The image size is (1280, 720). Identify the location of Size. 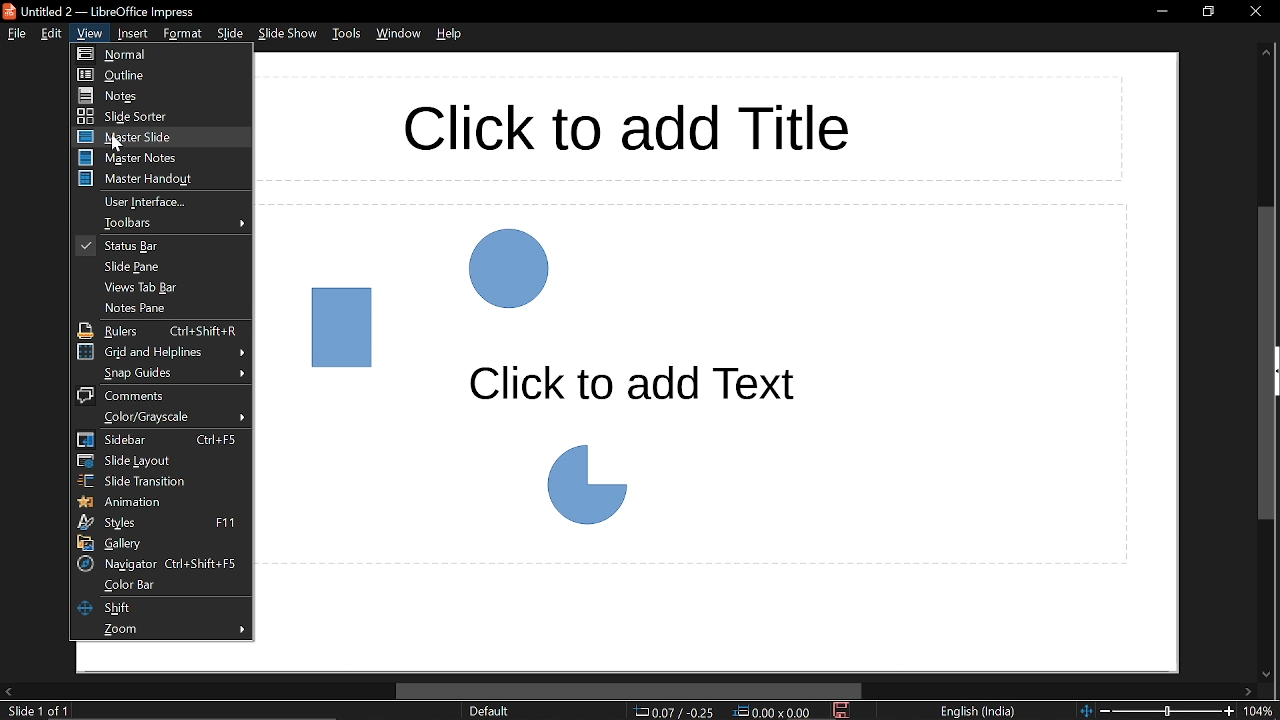
(774, 712).